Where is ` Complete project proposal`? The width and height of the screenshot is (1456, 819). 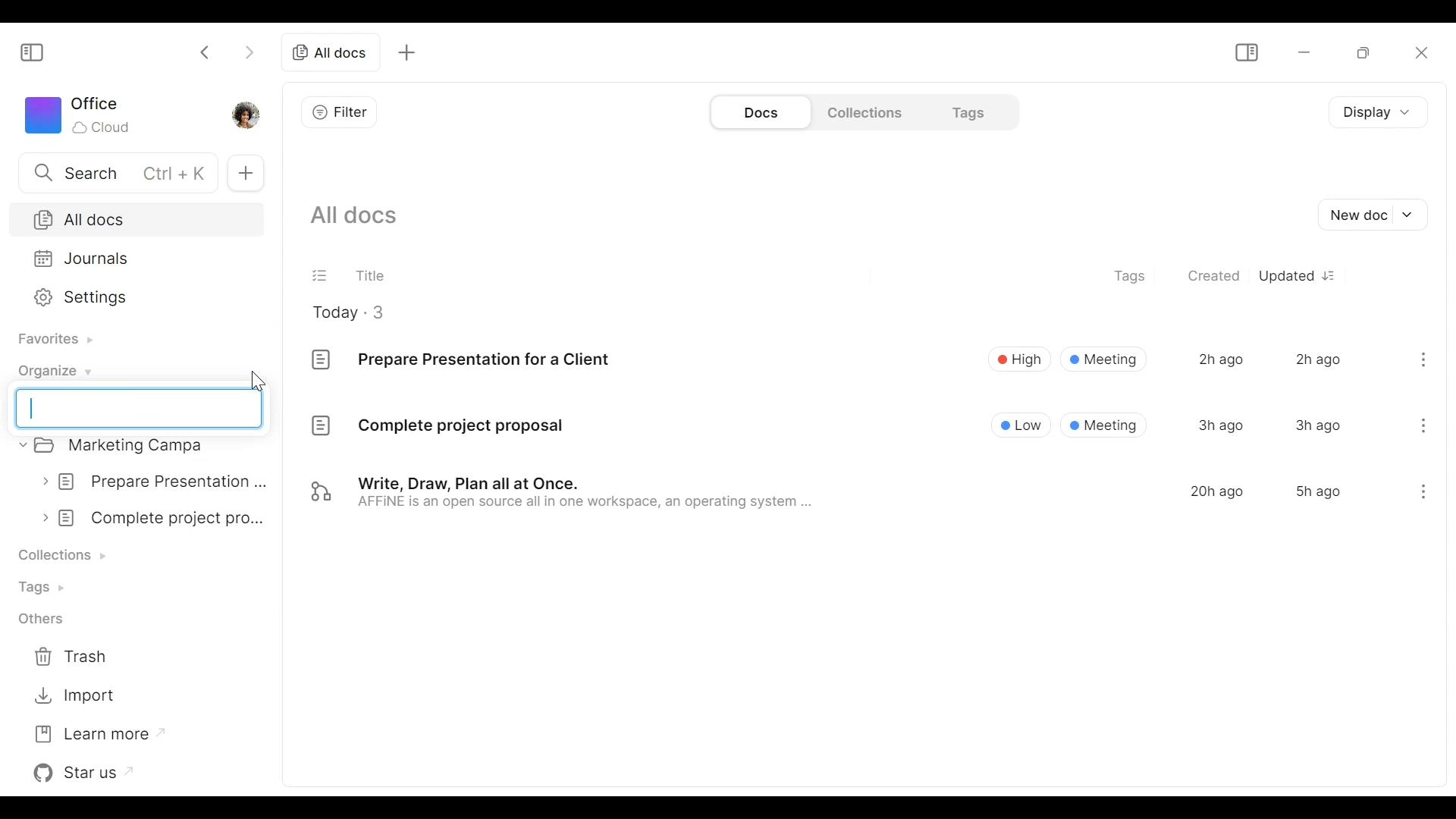
 Complete project proposal is located at coordinates (437, 428).